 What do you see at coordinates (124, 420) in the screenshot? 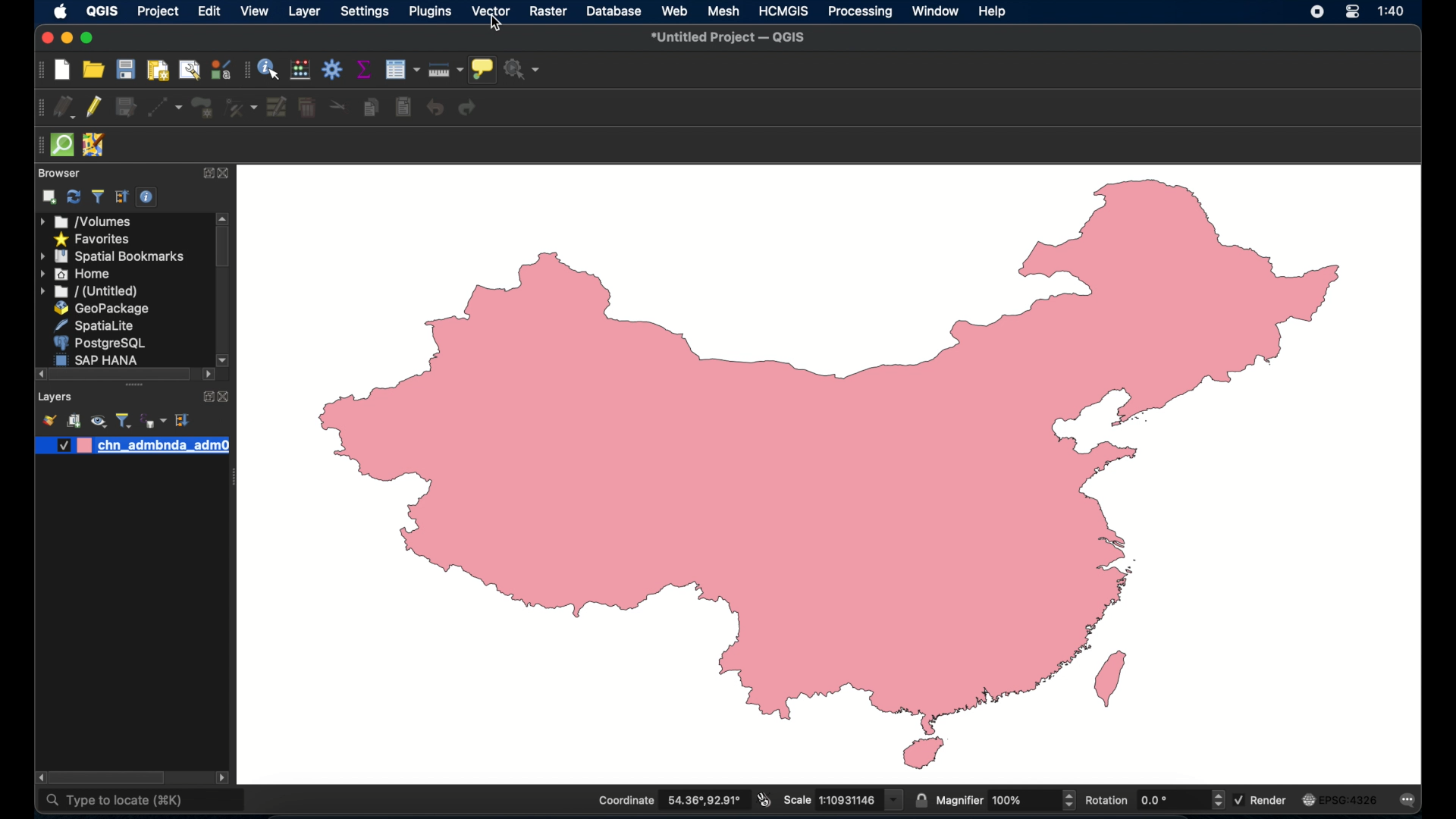
I see `filter legend` at bounding box center [124, 420].